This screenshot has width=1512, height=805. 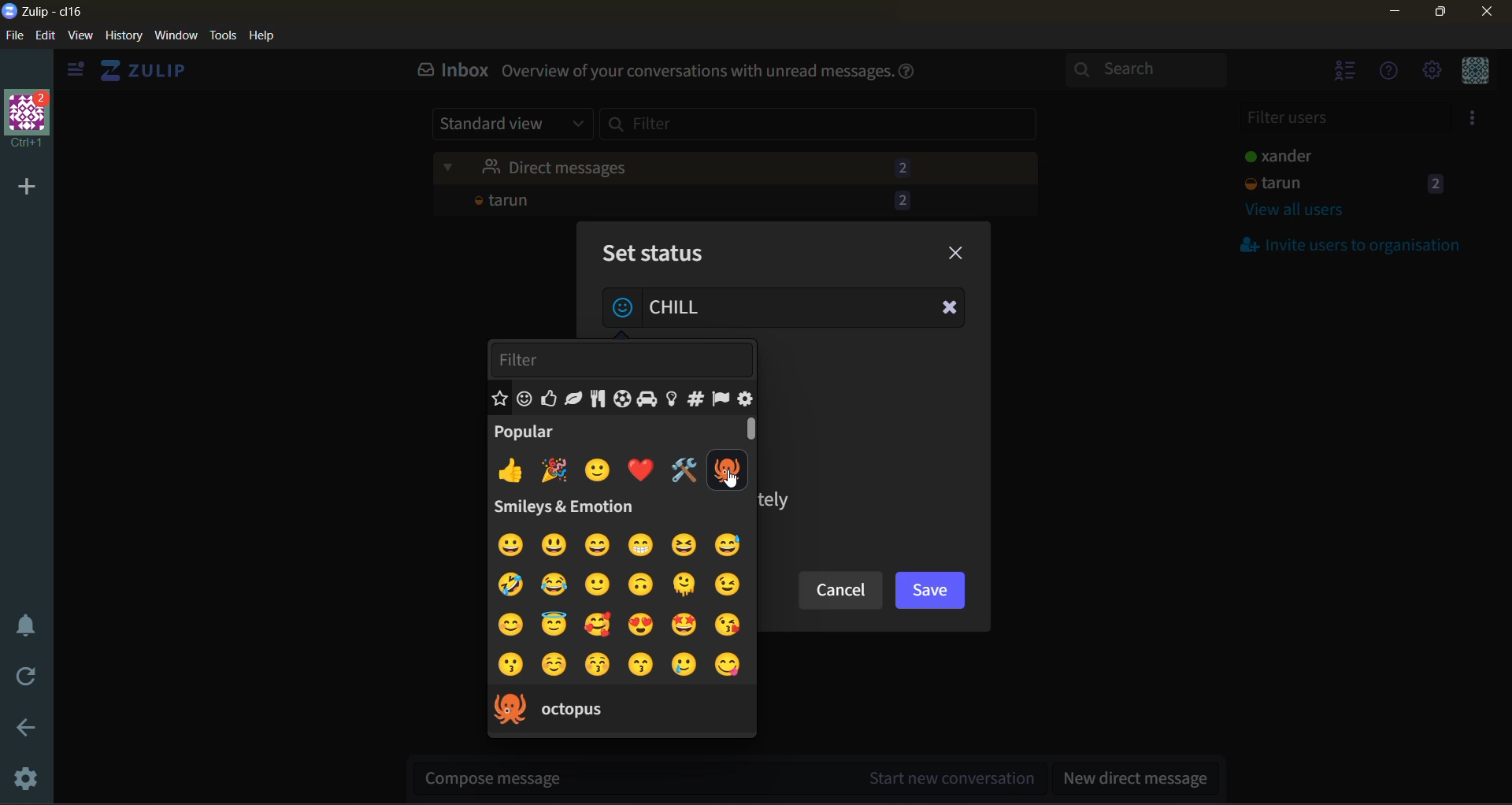 What do you see at coordinates (623, 399) in the screenshot?
I see `emoji` at bounding box center [623, 399].